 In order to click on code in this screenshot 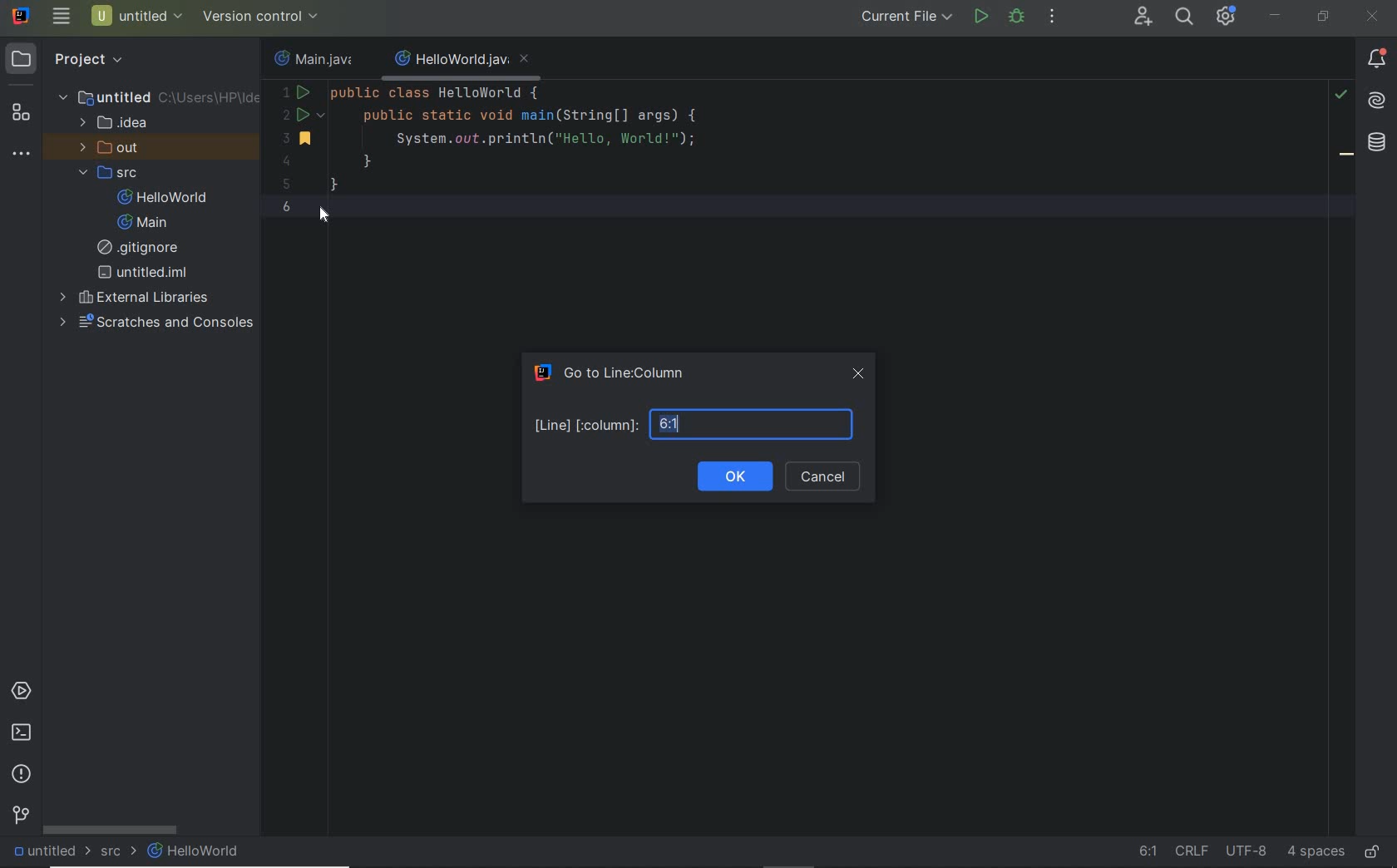, I will do `click(501, 135)`.